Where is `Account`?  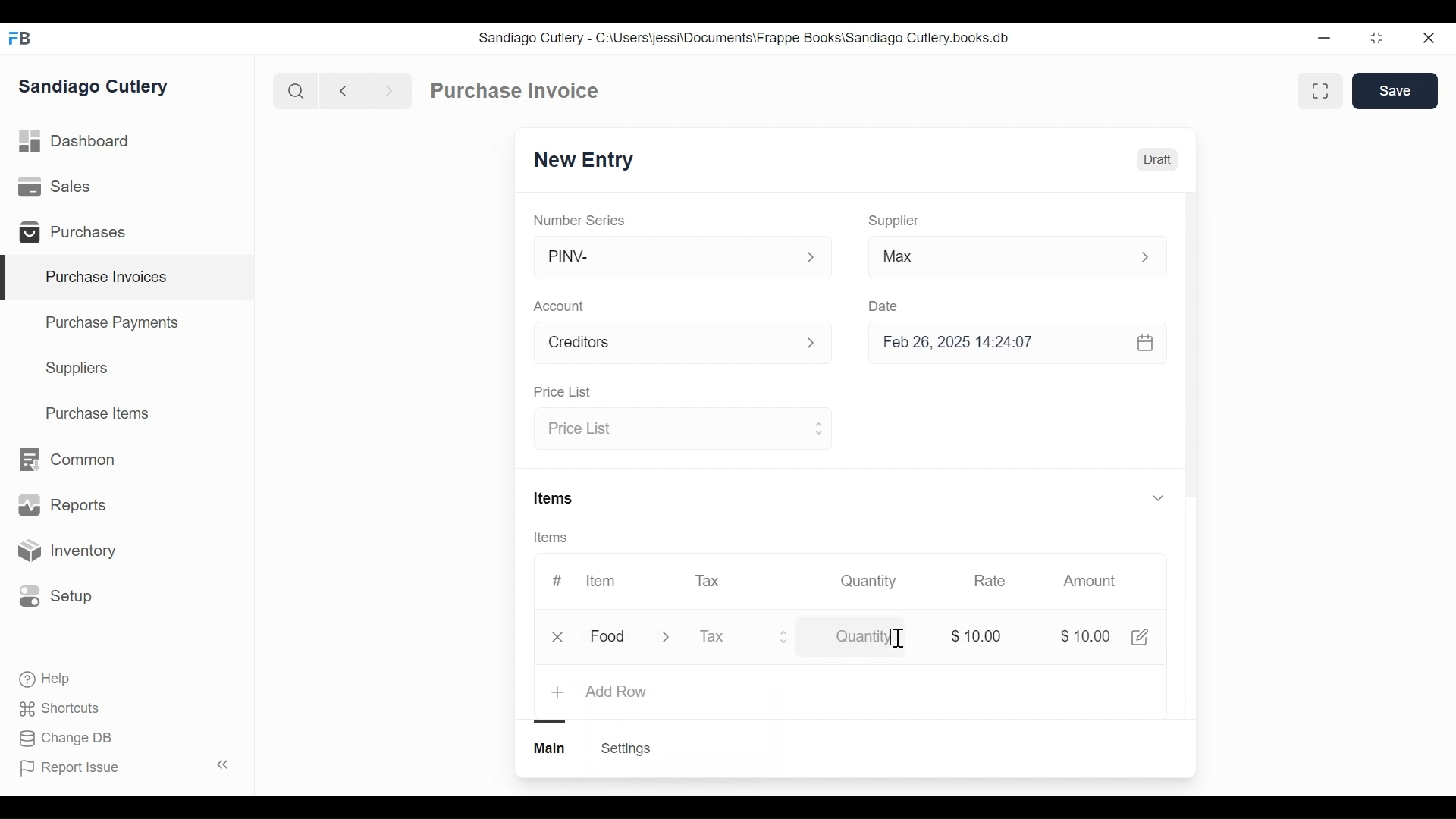 Account is located at coordinates (562, 308).